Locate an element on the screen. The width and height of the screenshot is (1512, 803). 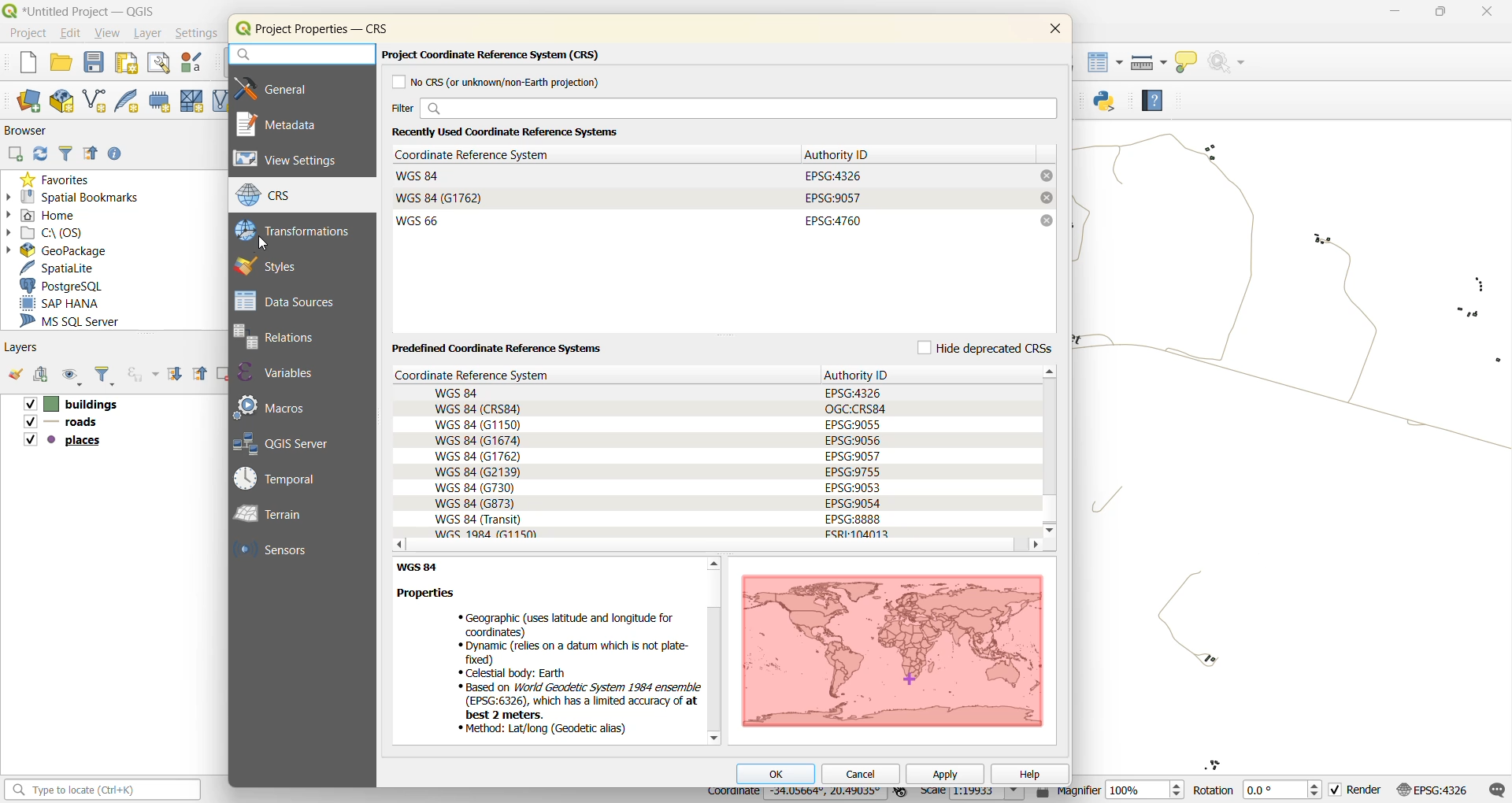
print layout is located at coordinates (128, 62).